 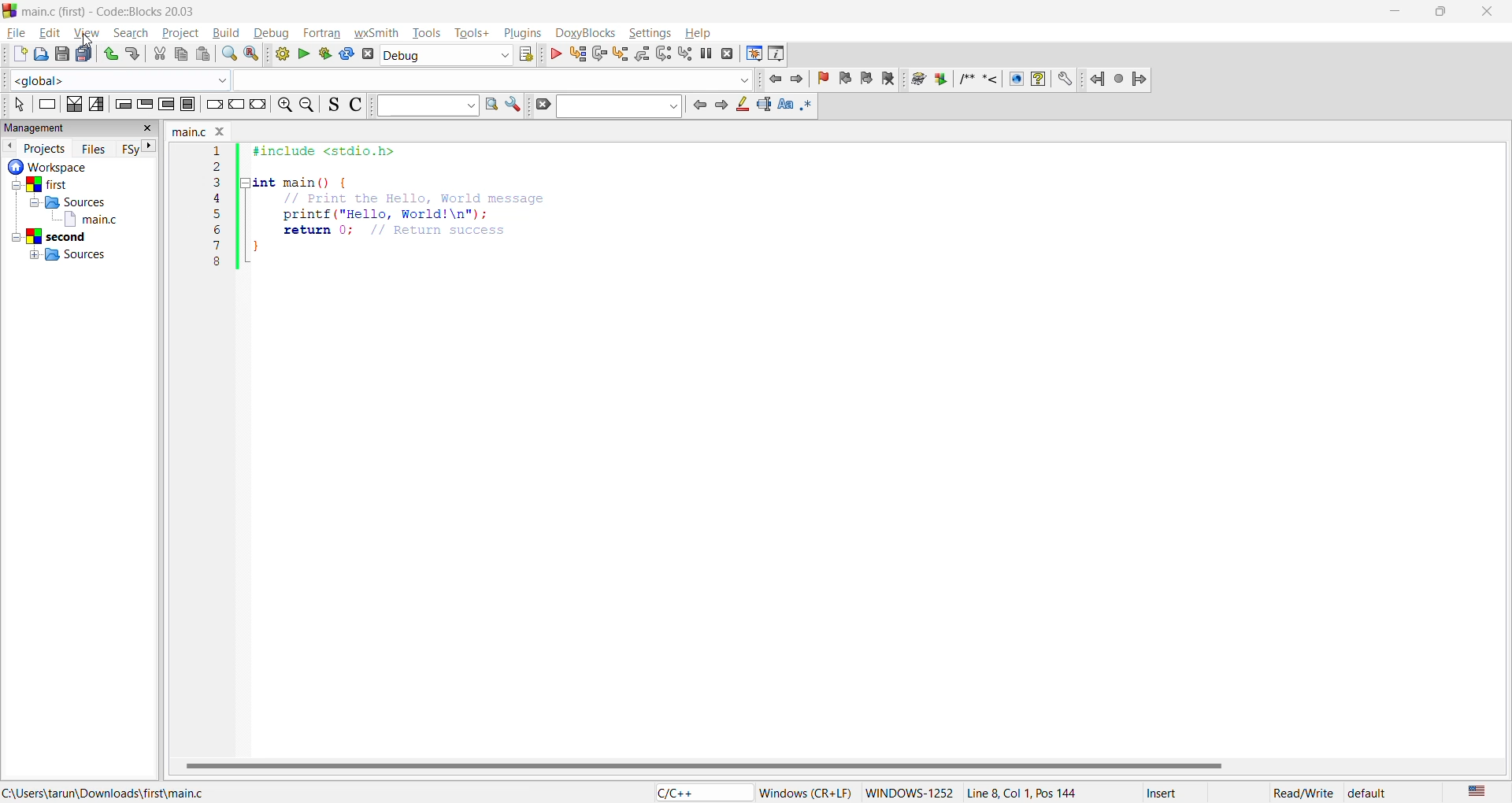 What do you see at coordinates (543, 103) in the screenshot?
I see `clear` at bounding box center [543, 103].